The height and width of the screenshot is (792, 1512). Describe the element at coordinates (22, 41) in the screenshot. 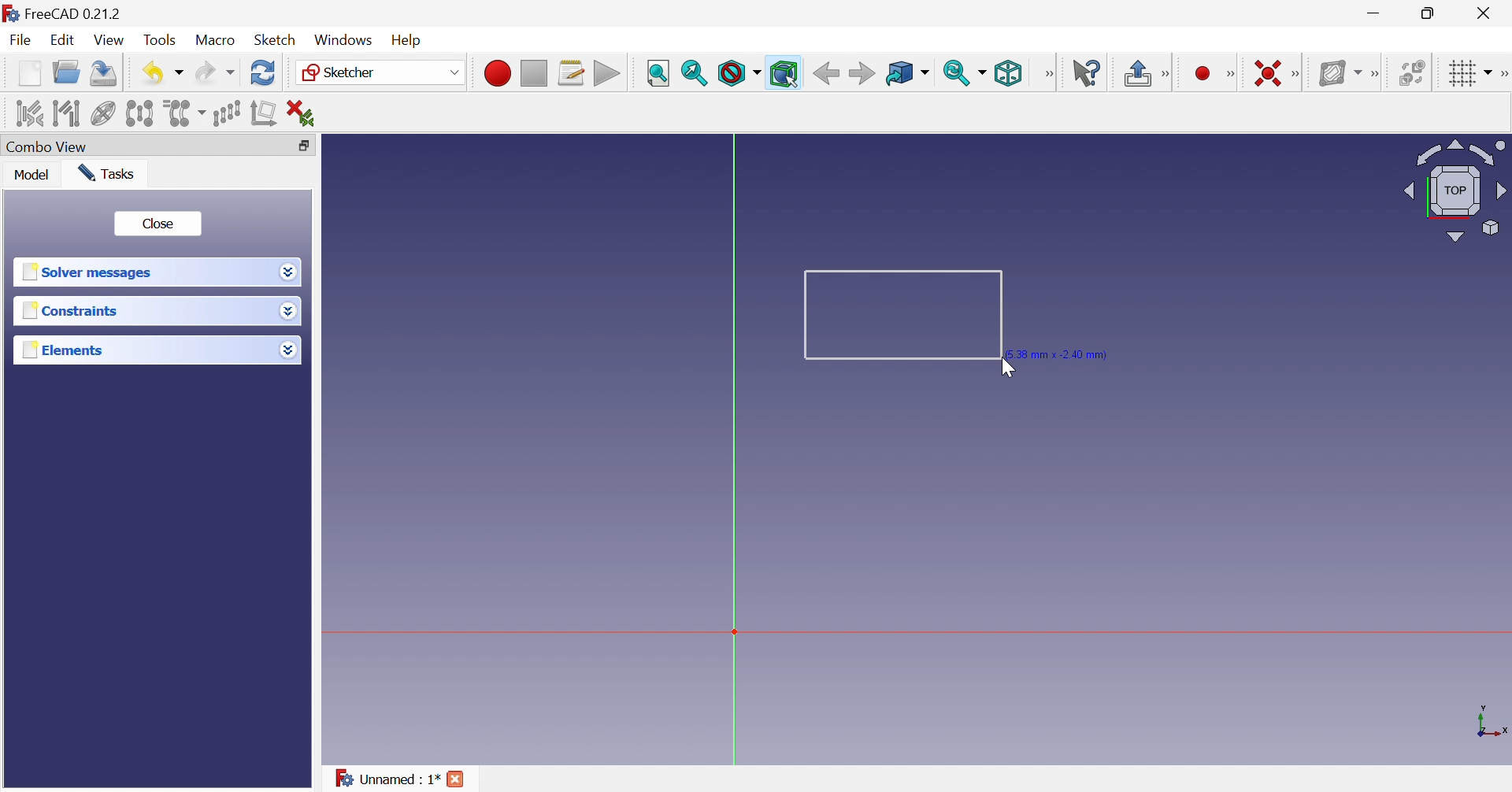

I see `File` at that location.